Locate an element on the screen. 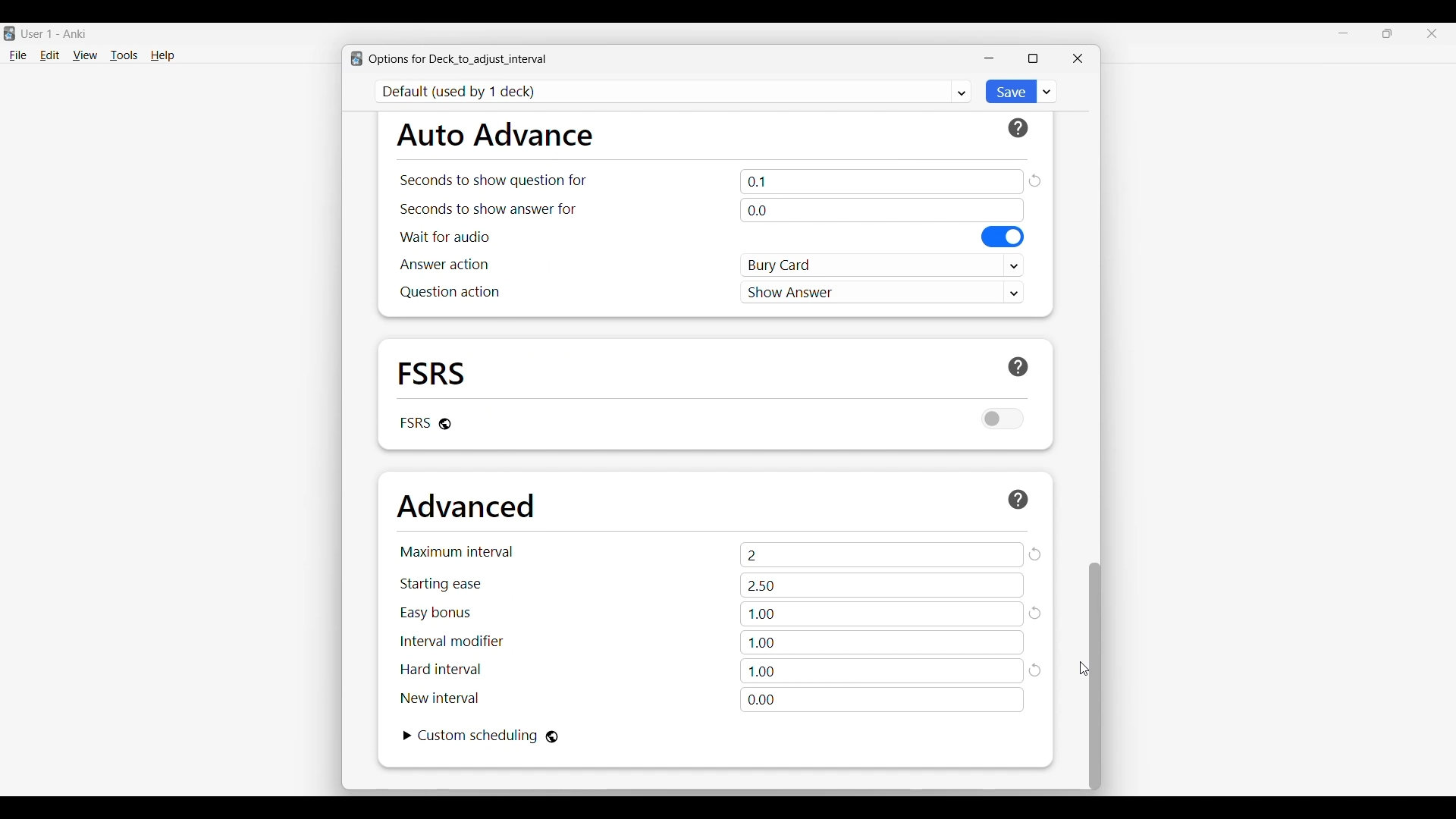 The image size is (1456, 819). Edit menu is located at coordinates (50, 56).